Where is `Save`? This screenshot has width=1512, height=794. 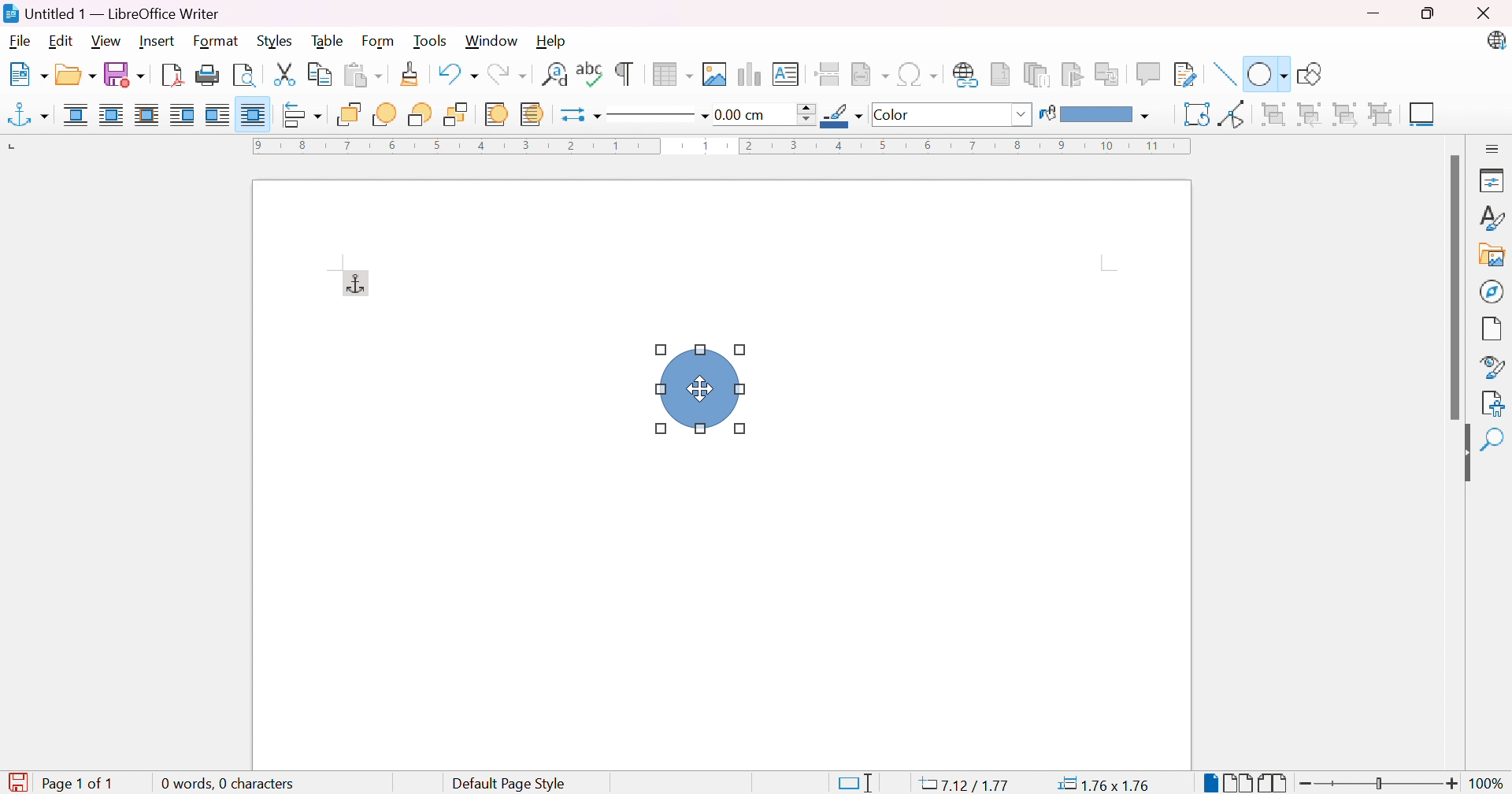 Save is located at coordinates (125, 74).